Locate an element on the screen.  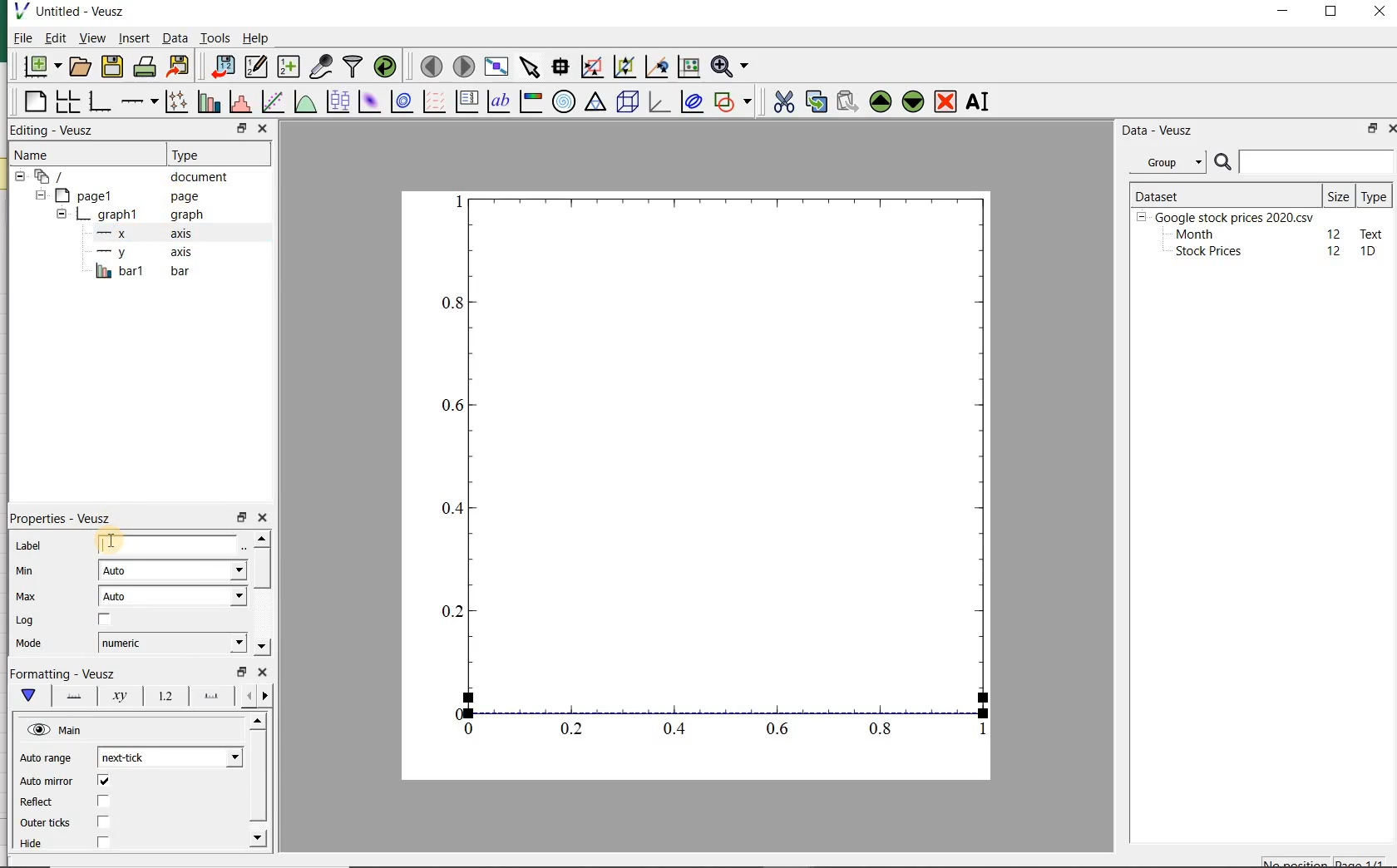
new document is located at coordinates (42, 67).